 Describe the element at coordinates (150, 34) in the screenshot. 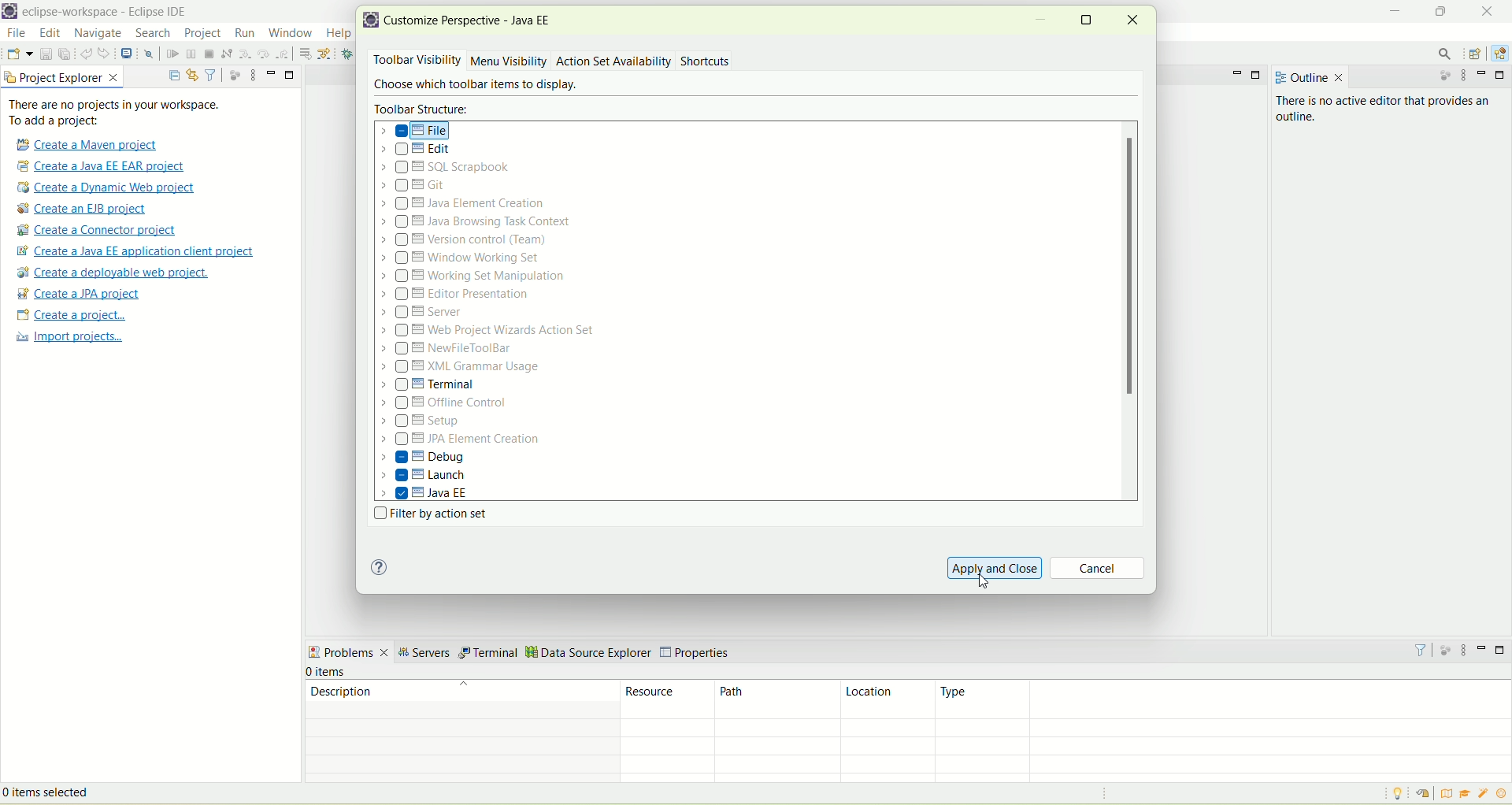

I see `search` at that location.